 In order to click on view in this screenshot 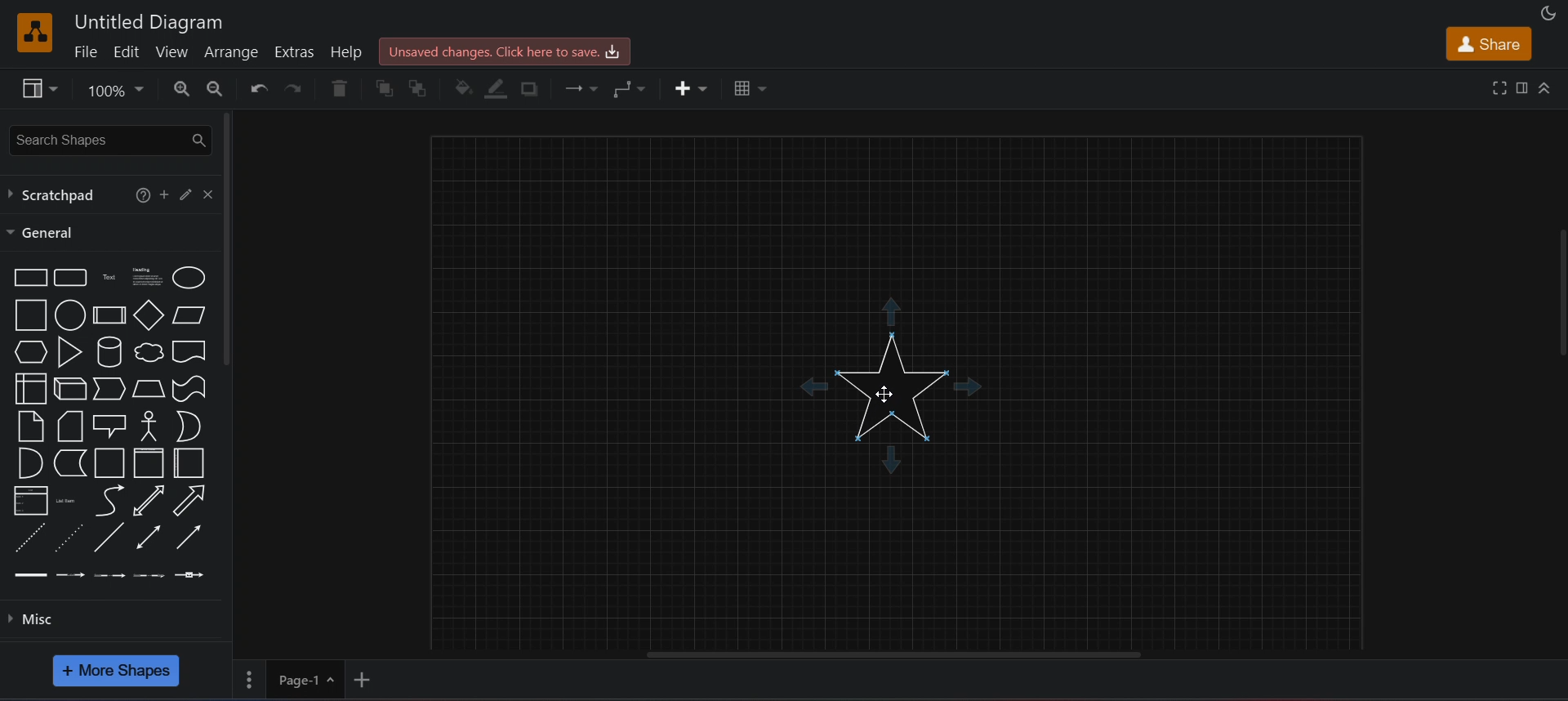, I will do `click(36, 88)`.